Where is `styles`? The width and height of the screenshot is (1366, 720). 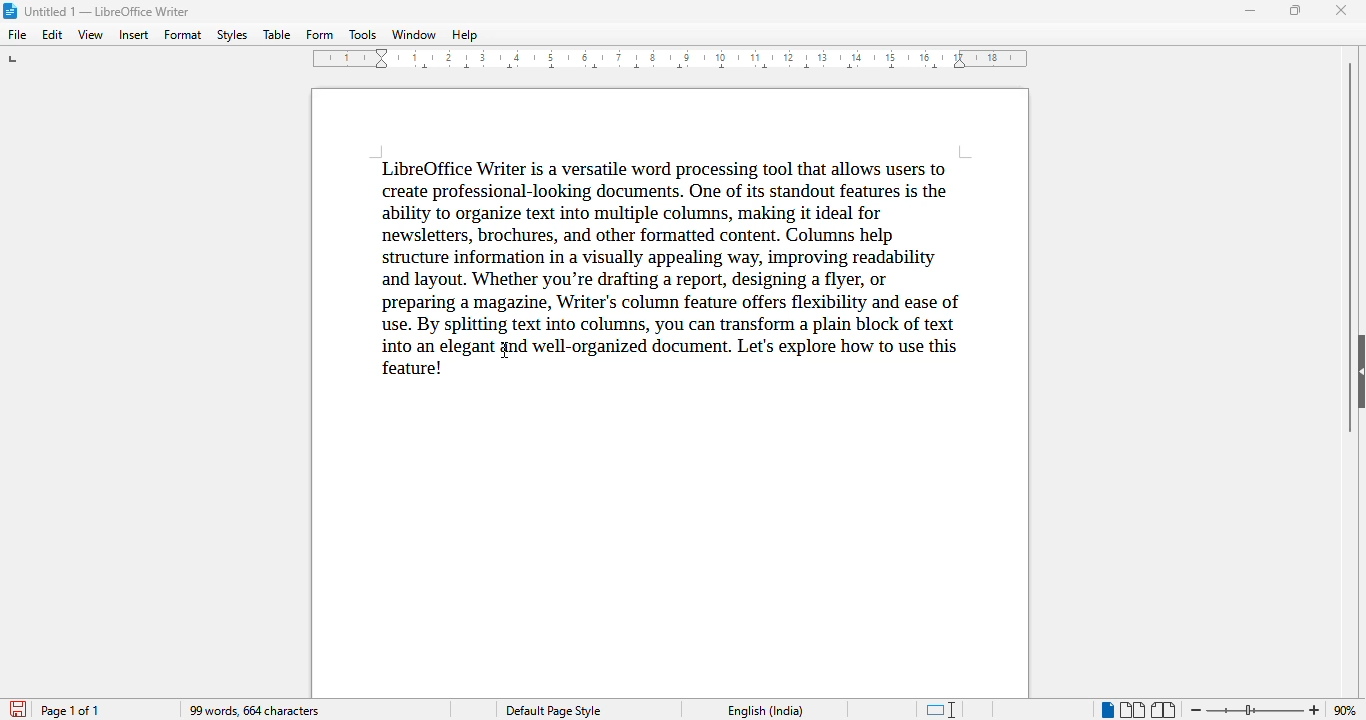
styles is located at coordinates (232, 35).